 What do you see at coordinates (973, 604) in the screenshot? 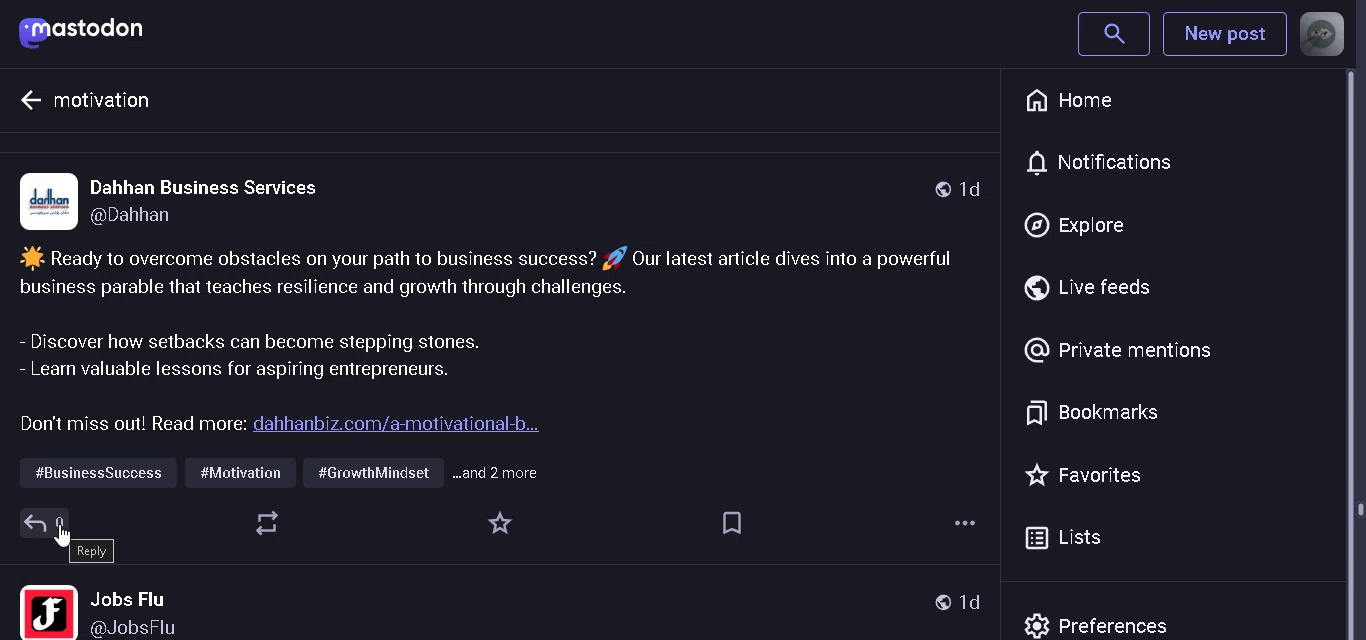
I see `time posted` at bounding box center [973, 604].